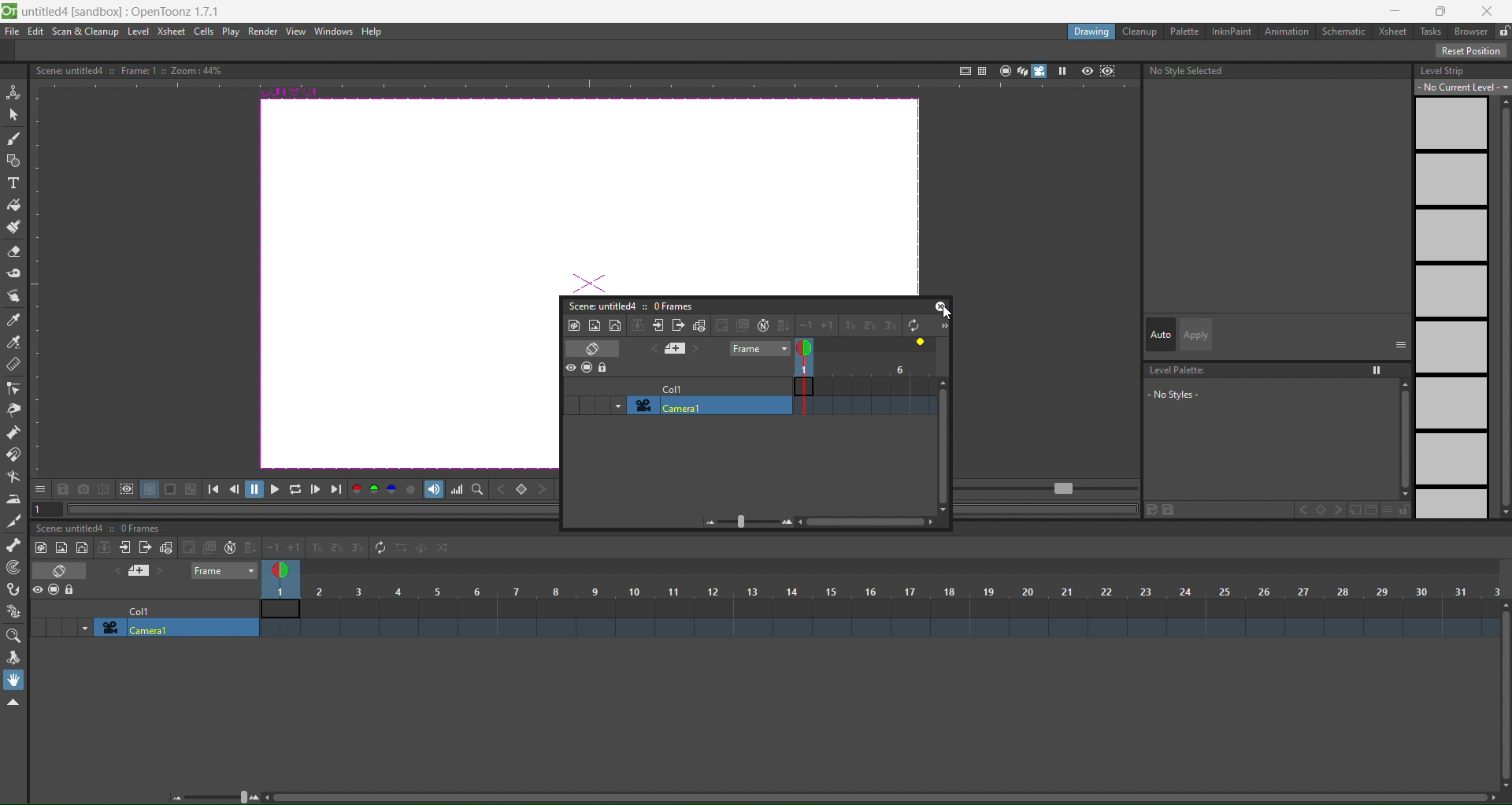 This screenshot has height=805, width=1512. I want to click on sub camera preview, so click(1108, 71).